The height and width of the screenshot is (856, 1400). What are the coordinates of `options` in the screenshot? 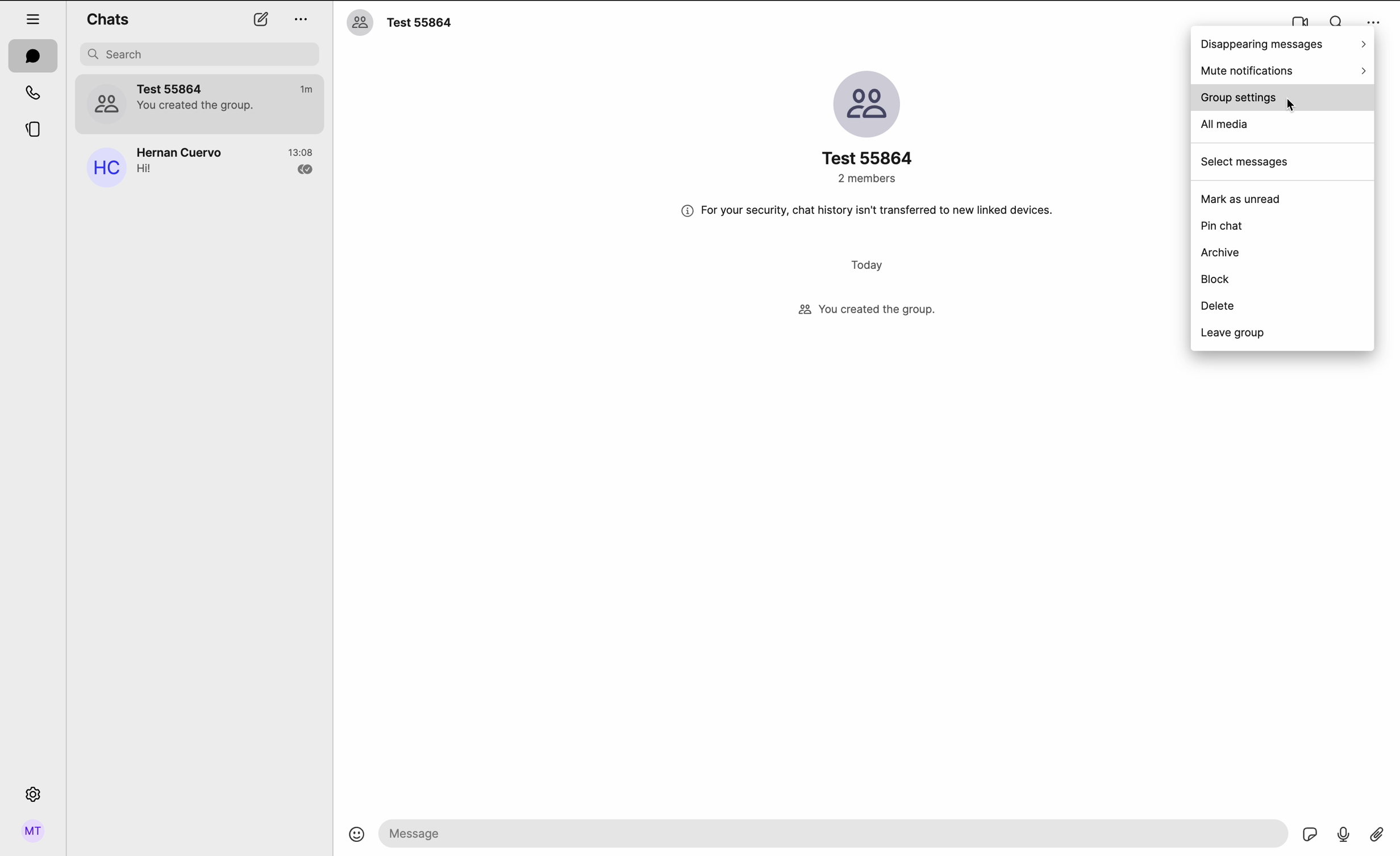 It's located at (302, 19).